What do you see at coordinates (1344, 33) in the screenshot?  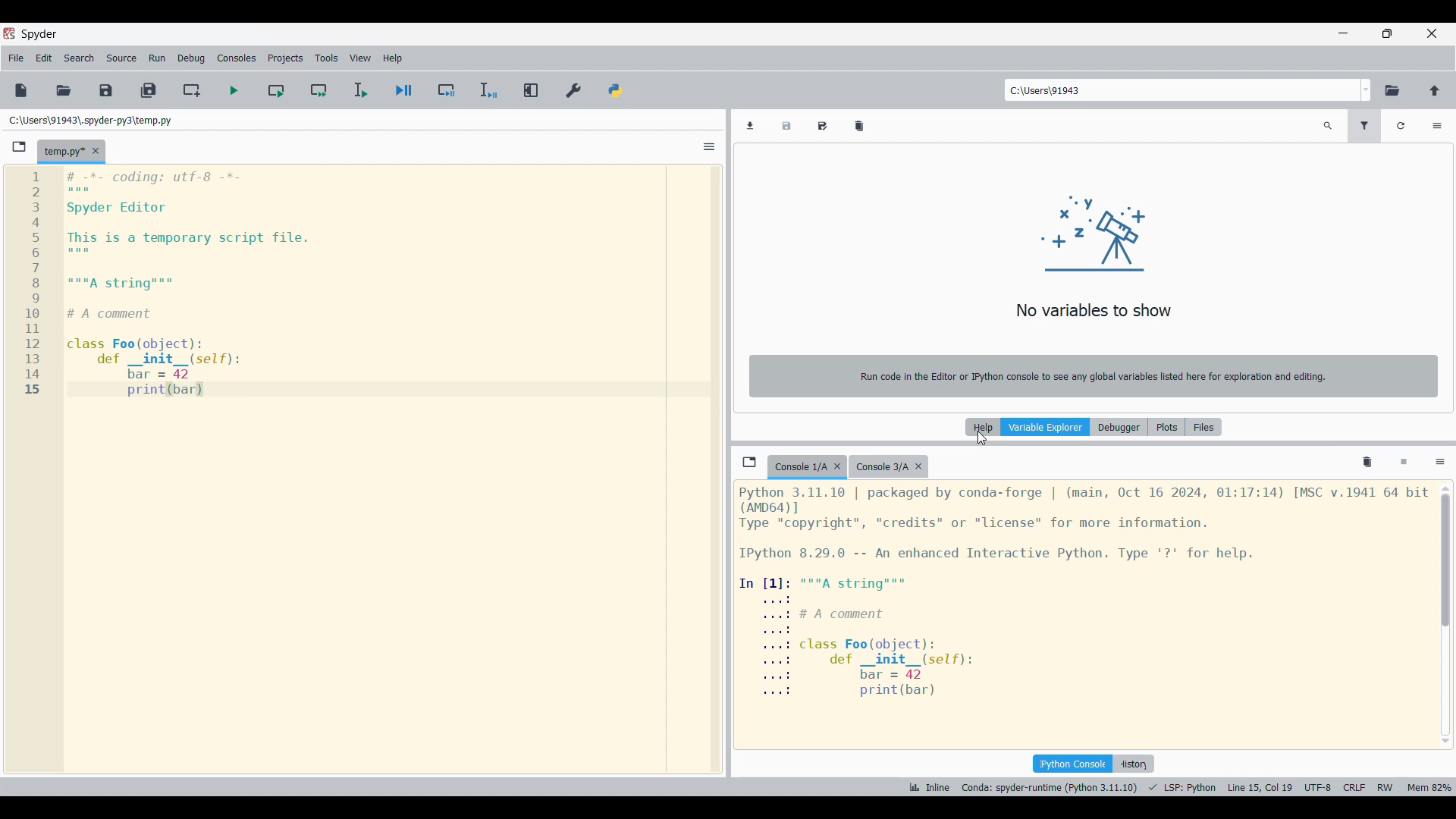 I see `Minimize` at bounding box center [1344, 33].